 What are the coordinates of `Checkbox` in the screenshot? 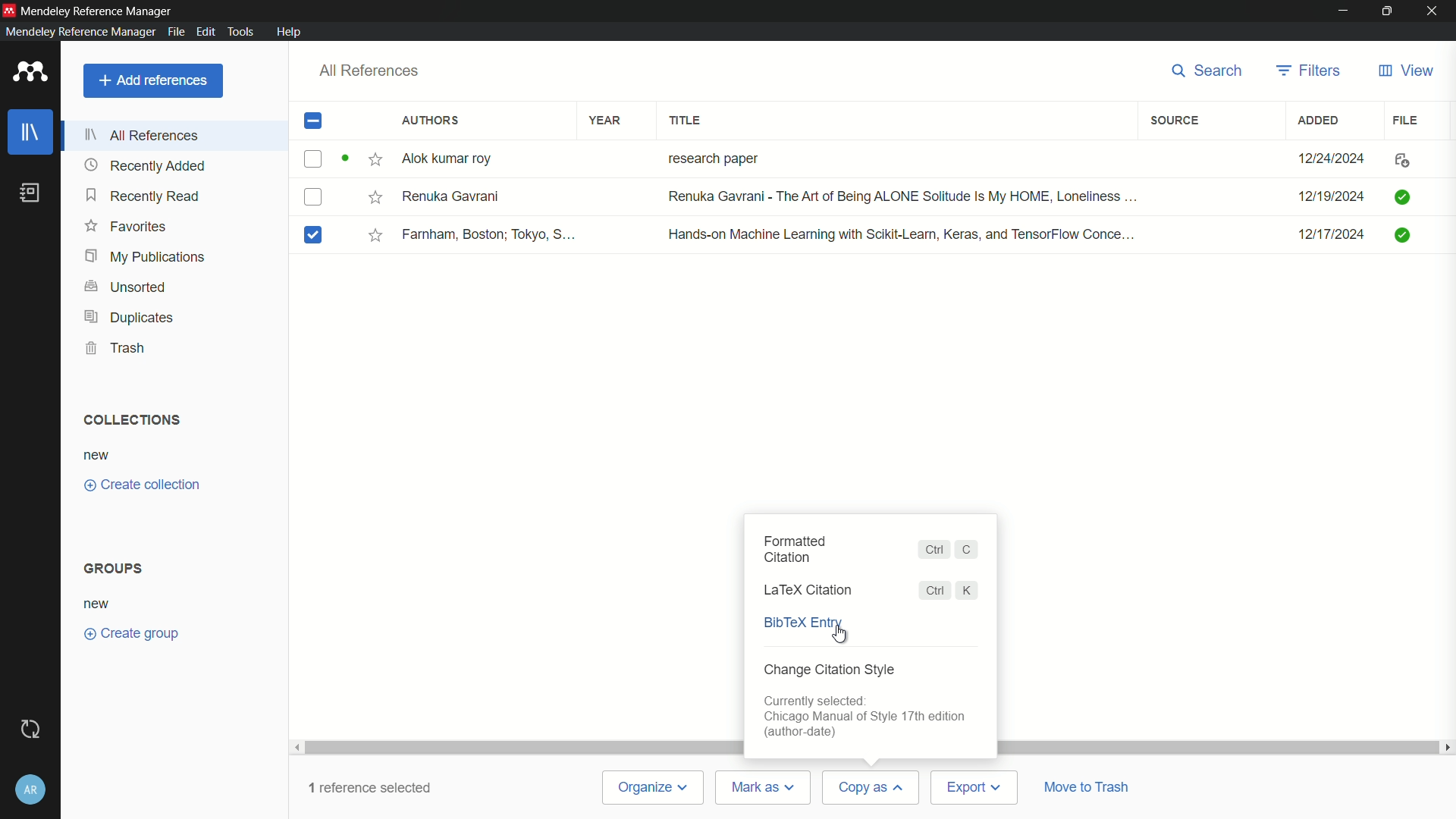 It's located at (318, 199).